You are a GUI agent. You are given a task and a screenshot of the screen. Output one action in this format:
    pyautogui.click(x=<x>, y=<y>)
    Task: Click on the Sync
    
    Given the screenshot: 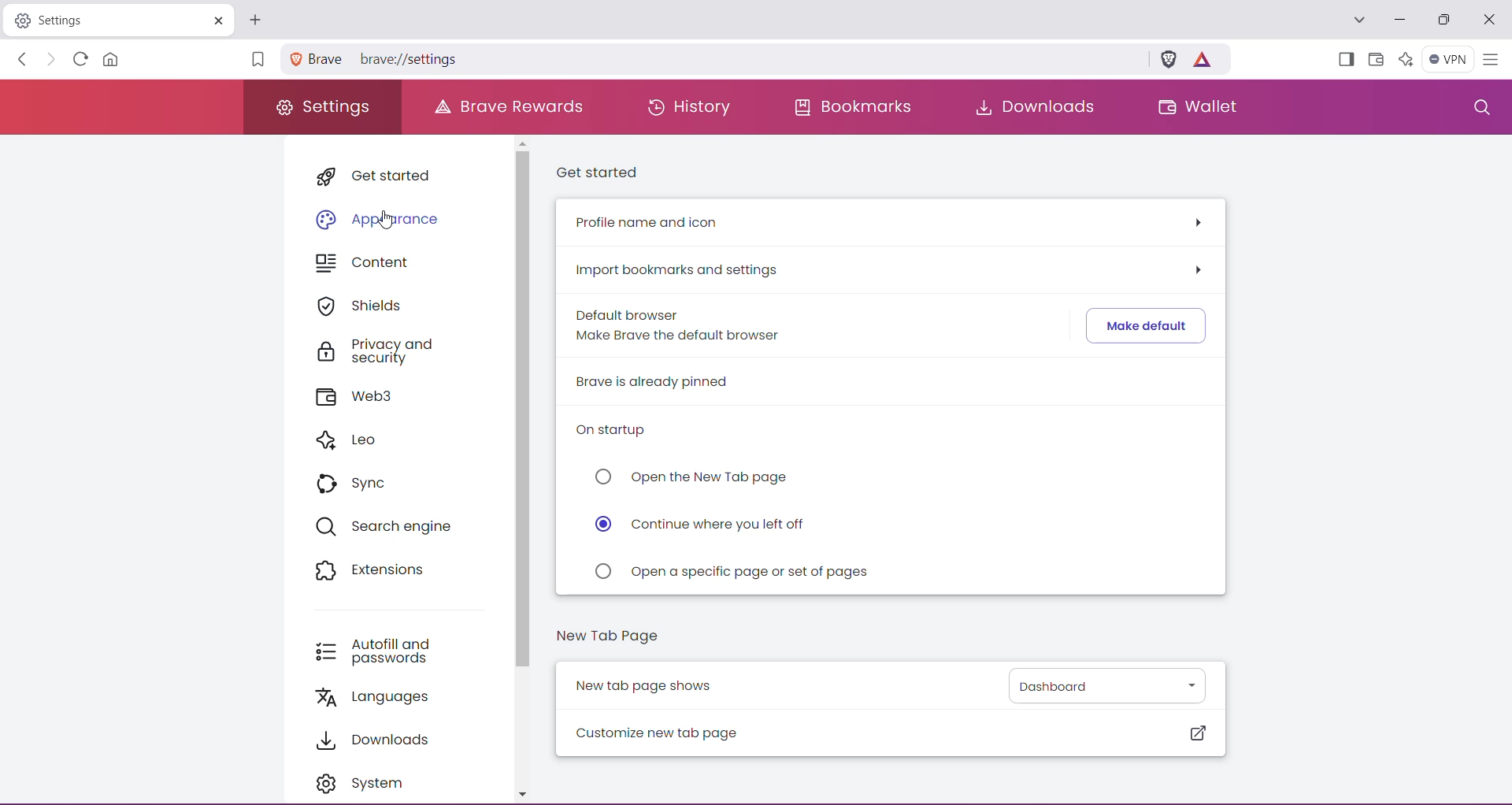 What is the action you would take?
    pyautogui.click(x=351, y=482)
    